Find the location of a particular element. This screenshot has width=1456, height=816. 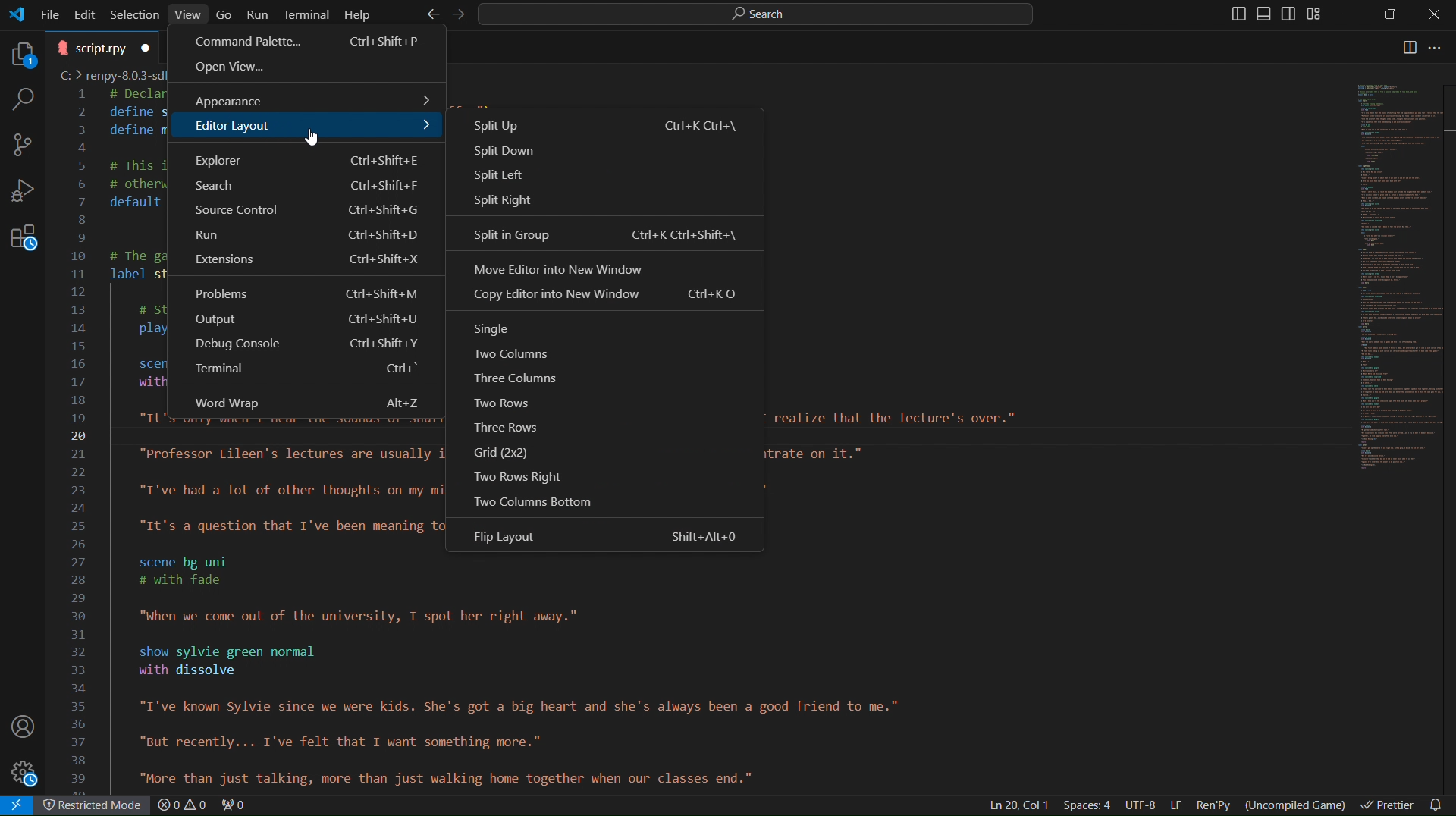

Split in Group   ctrl+K ctrl+shift+\ is located at coordinates (603, 234).